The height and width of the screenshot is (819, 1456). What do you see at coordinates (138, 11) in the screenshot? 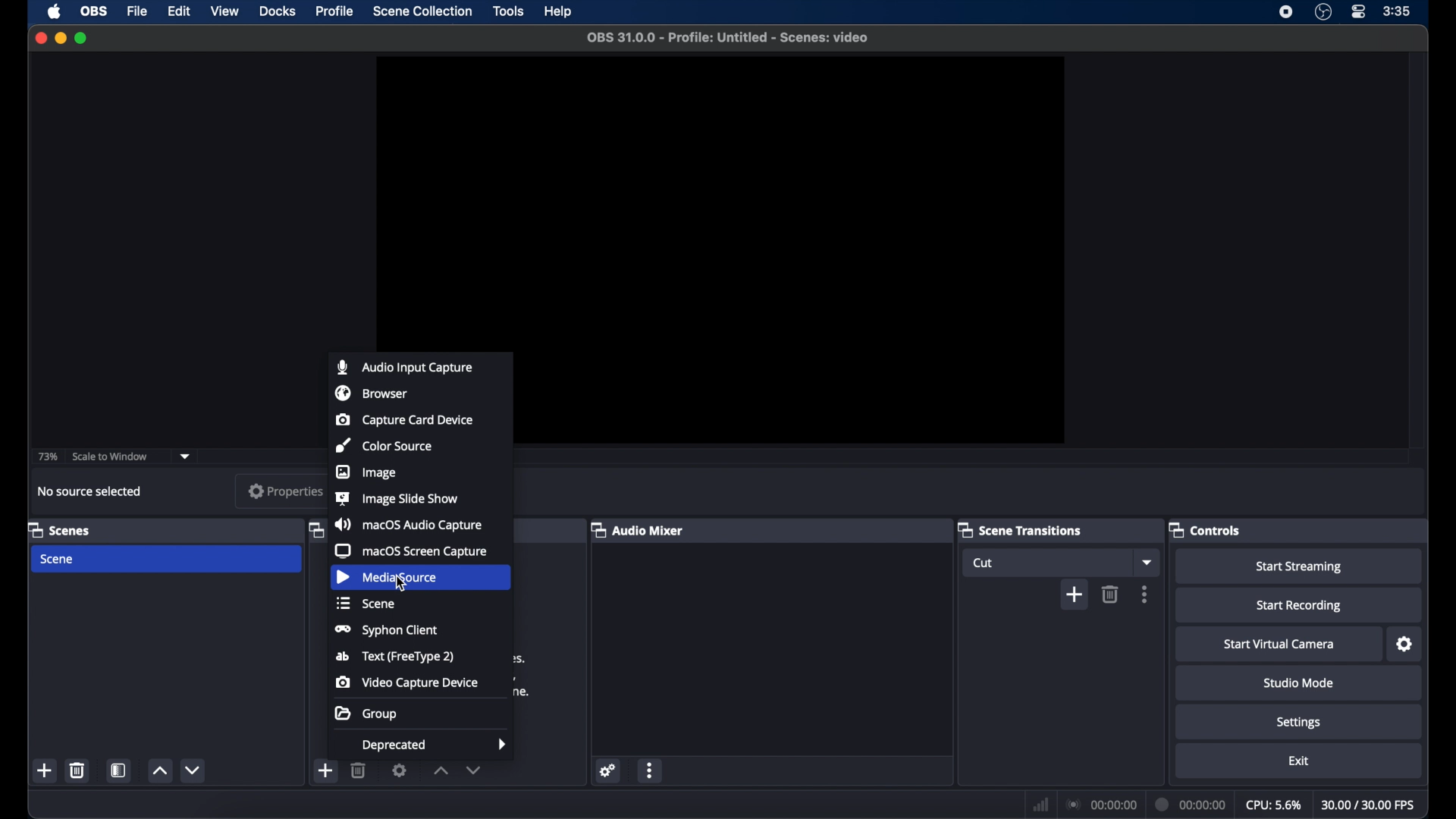
I see `file` at bounding box center [138, 11].